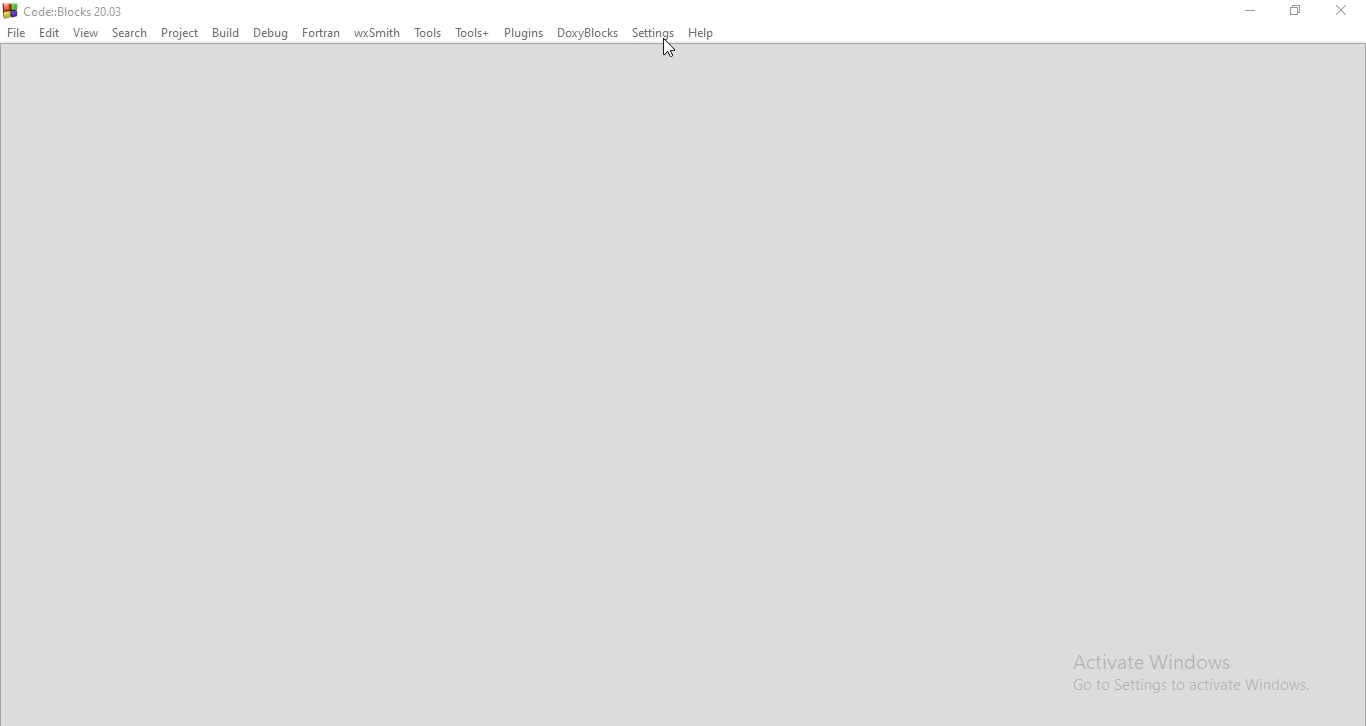 The width and height of the screenshot is (1366, 726). What do you see at coordinates (52, 35) in the screenshot?
I see `Edit` at bounding box center [52, 35].